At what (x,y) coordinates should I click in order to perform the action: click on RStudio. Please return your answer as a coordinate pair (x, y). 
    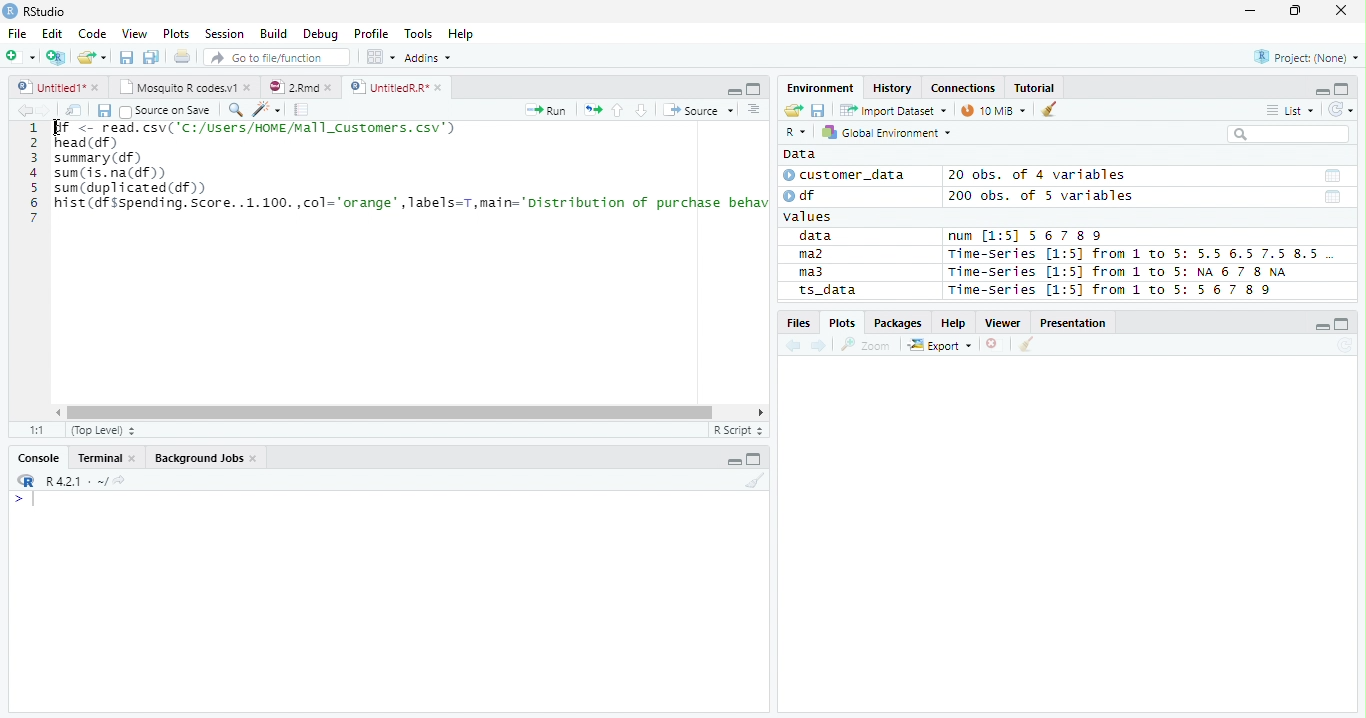
    Looking at the image, I should click on (35, 12).